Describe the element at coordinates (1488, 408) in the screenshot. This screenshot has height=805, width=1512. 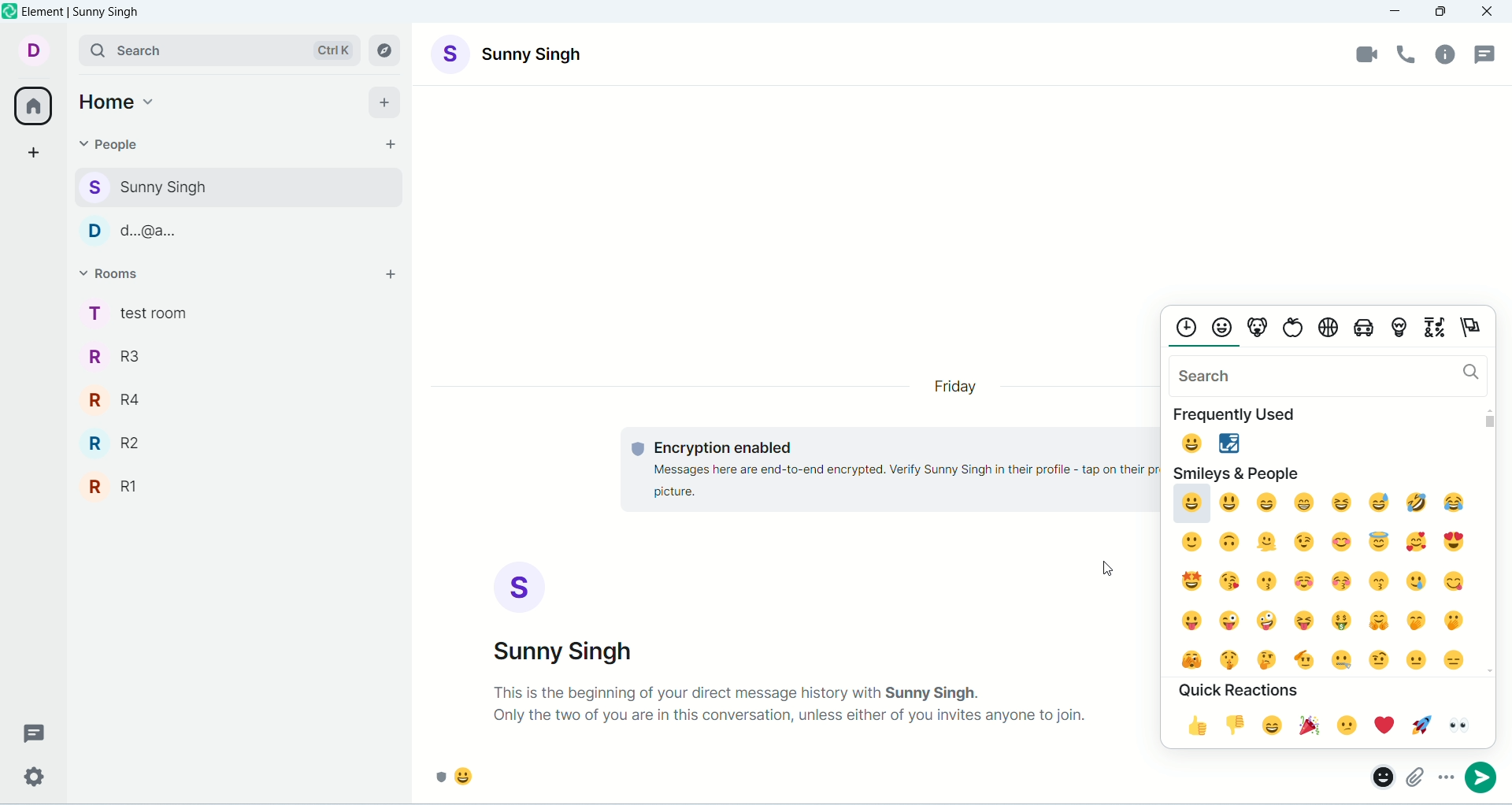
I see `scroll up` at that location.